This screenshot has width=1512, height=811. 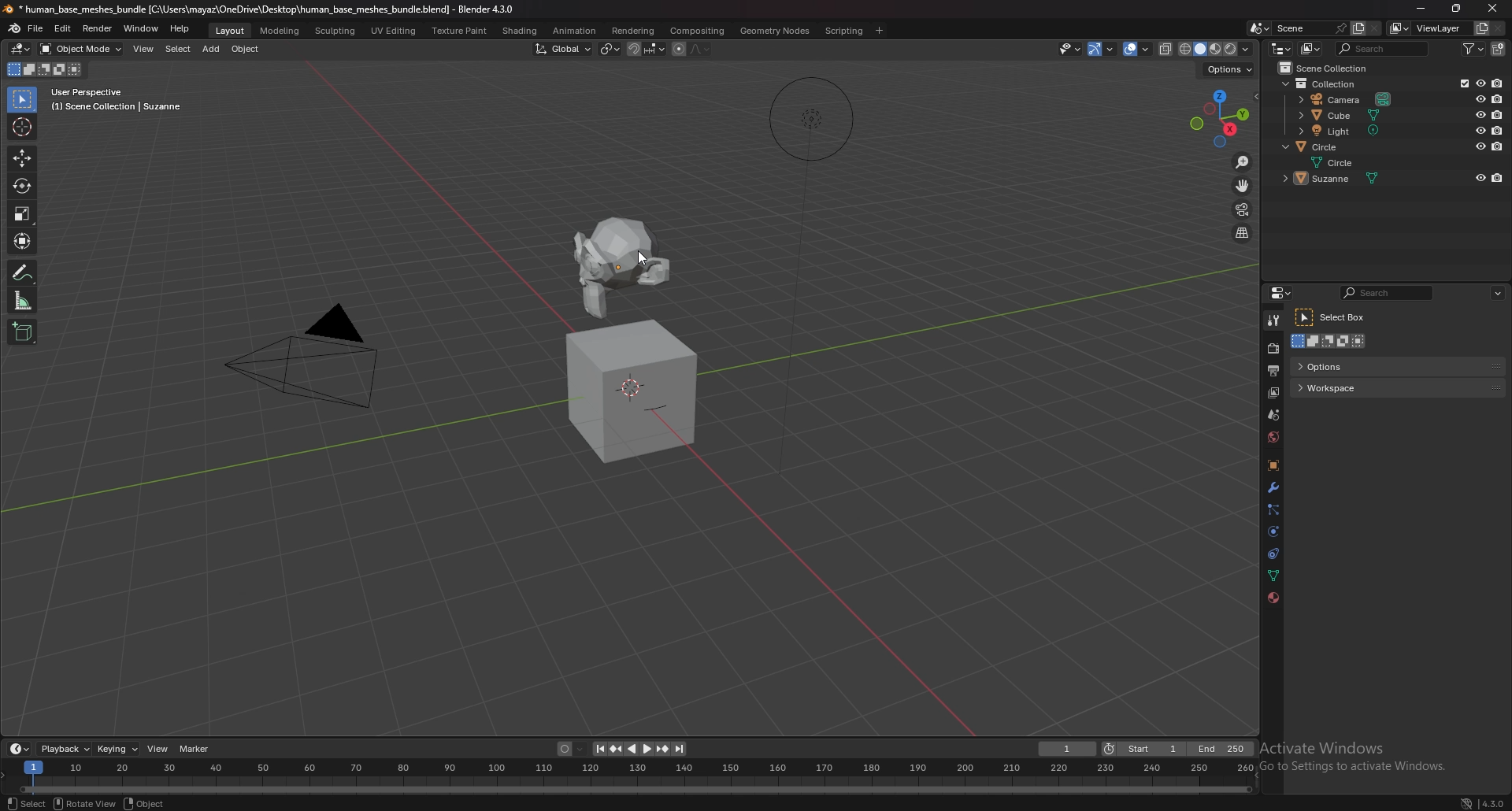 What do you see at coordinates (1273, 465) in the screenshot?
I see `object` at bounding box center [1273, 465].